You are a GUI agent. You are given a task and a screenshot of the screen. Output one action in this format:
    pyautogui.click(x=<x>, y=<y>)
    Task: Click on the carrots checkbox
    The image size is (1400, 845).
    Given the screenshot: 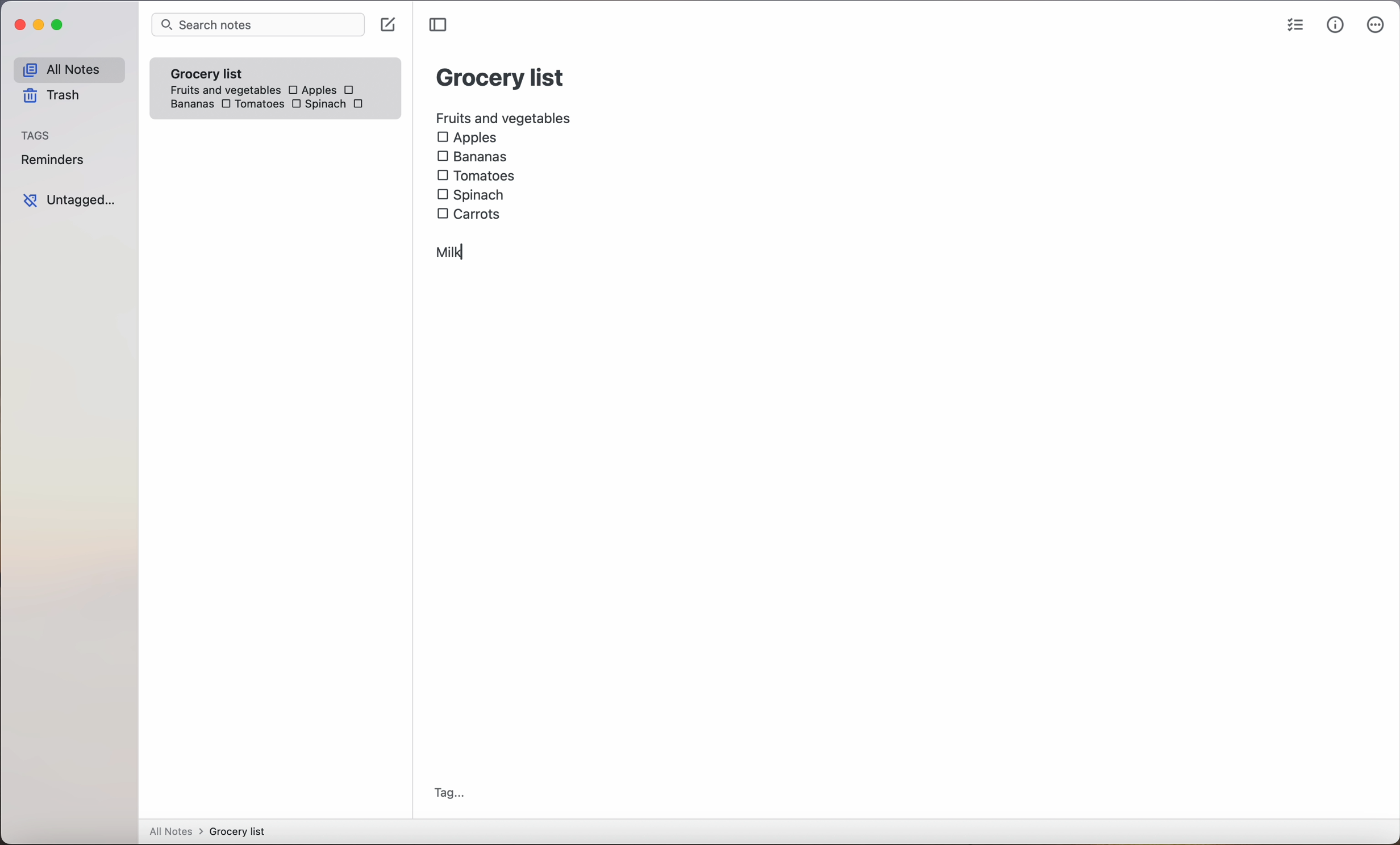 What is the action you would take?
    pyautogui.click(x=472, y=212)
    